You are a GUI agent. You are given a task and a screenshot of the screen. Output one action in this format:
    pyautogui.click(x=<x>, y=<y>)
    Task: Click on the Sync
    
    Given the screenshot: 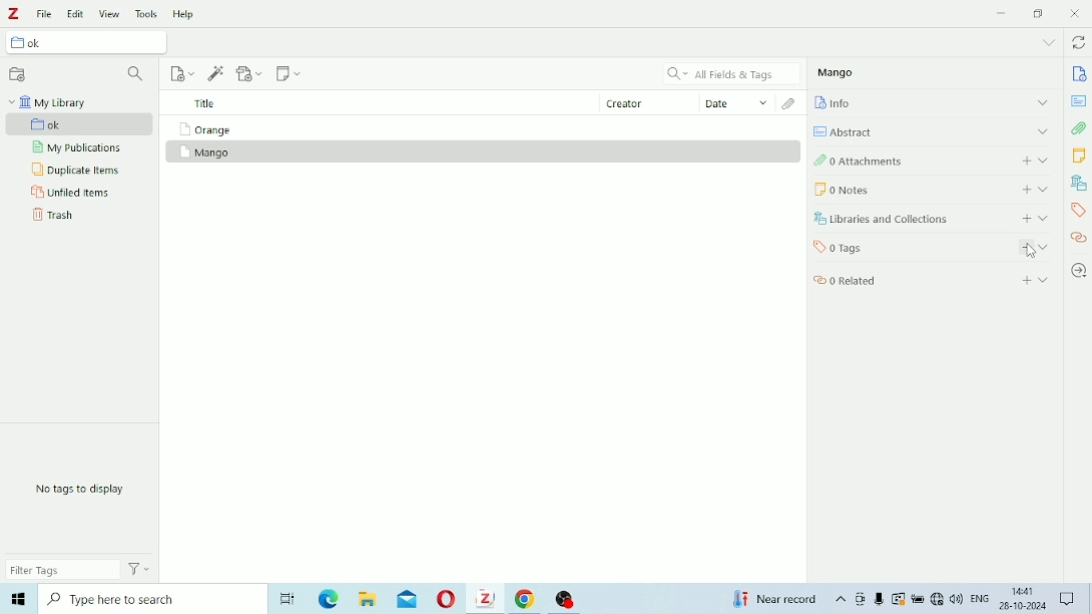 What is the action you would take?
    pyautogui.click(x=1080, y=43)
    